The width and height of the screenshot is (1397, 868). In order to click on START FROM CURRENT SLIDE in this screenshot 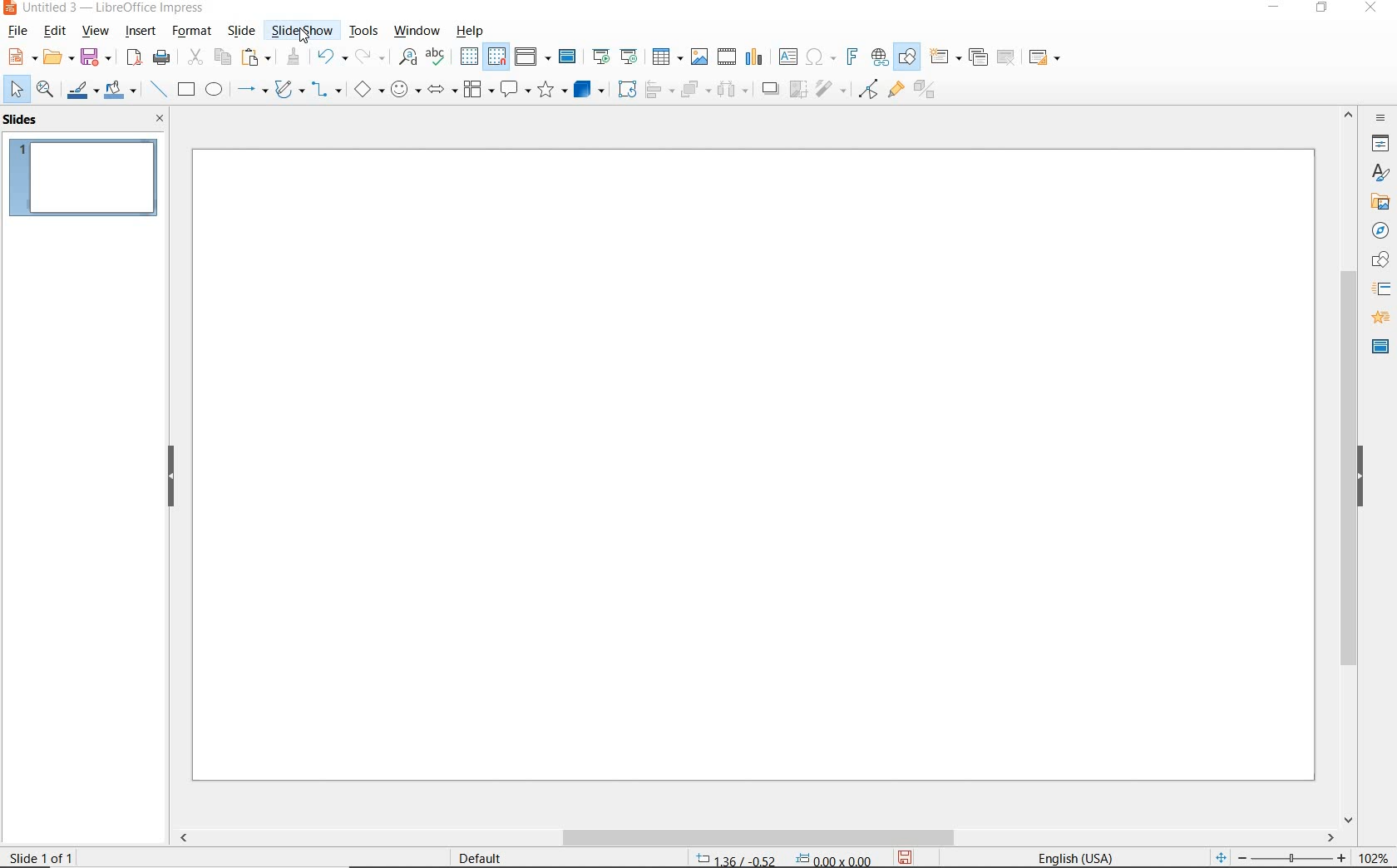, I will do `click(629, 56)`.